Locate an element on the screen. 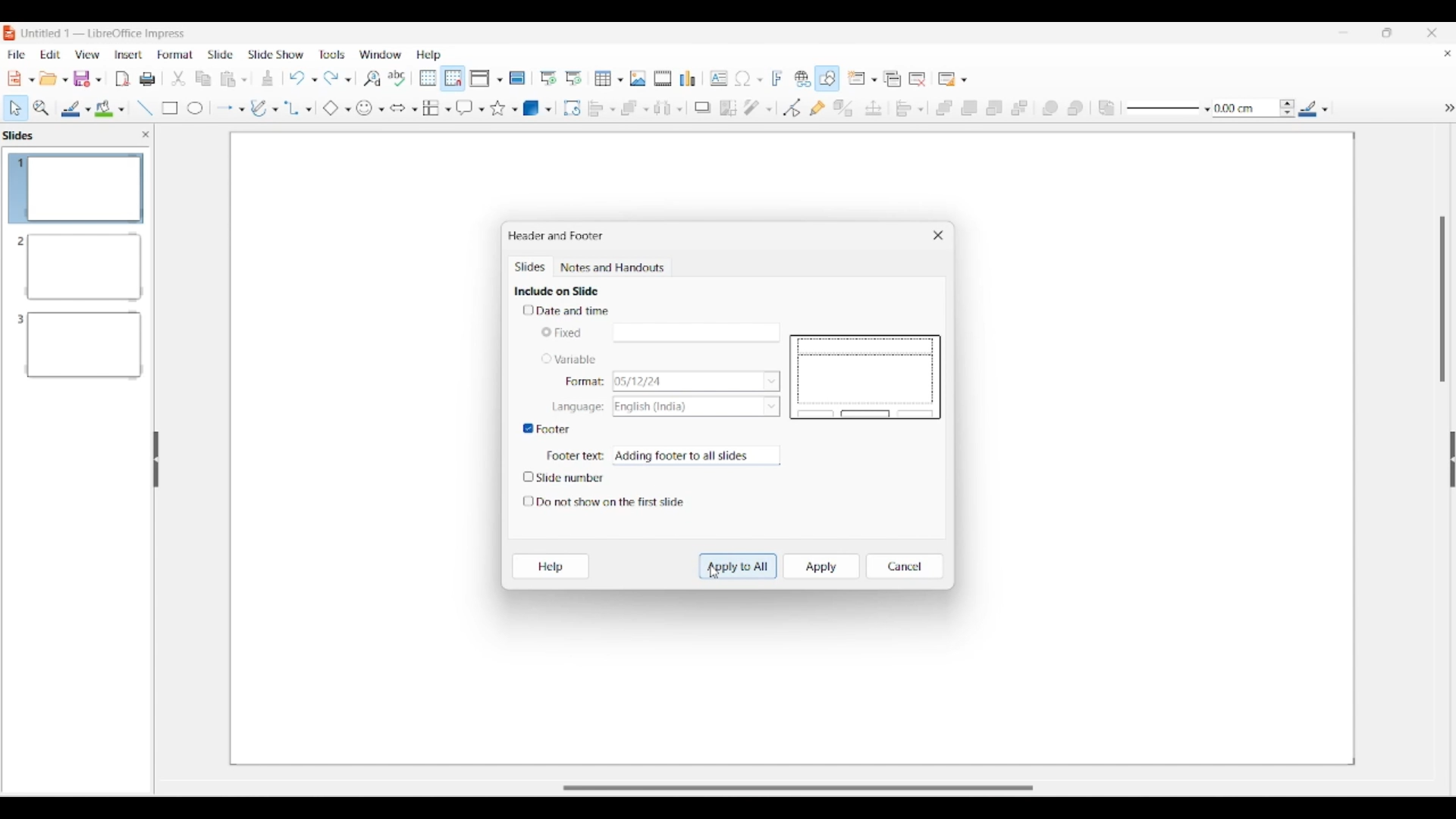 The width and height of the screenshot is (1456, 819). Toggle for slide number is located at coordinates (569, 477).